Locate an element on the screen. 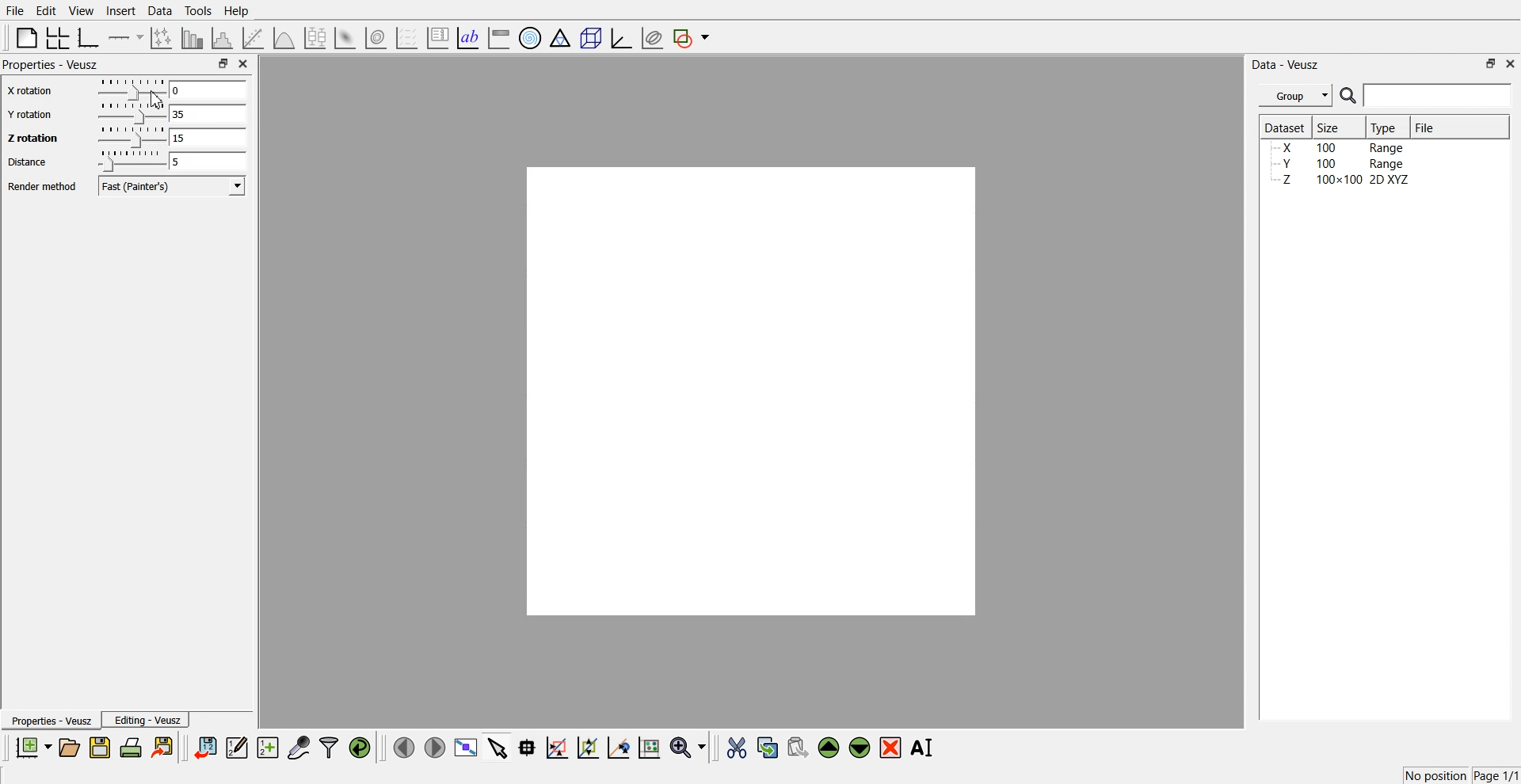 The height and width of the screenshot is (784, 1521). Search Bar is located at coordinates (1427, 95).